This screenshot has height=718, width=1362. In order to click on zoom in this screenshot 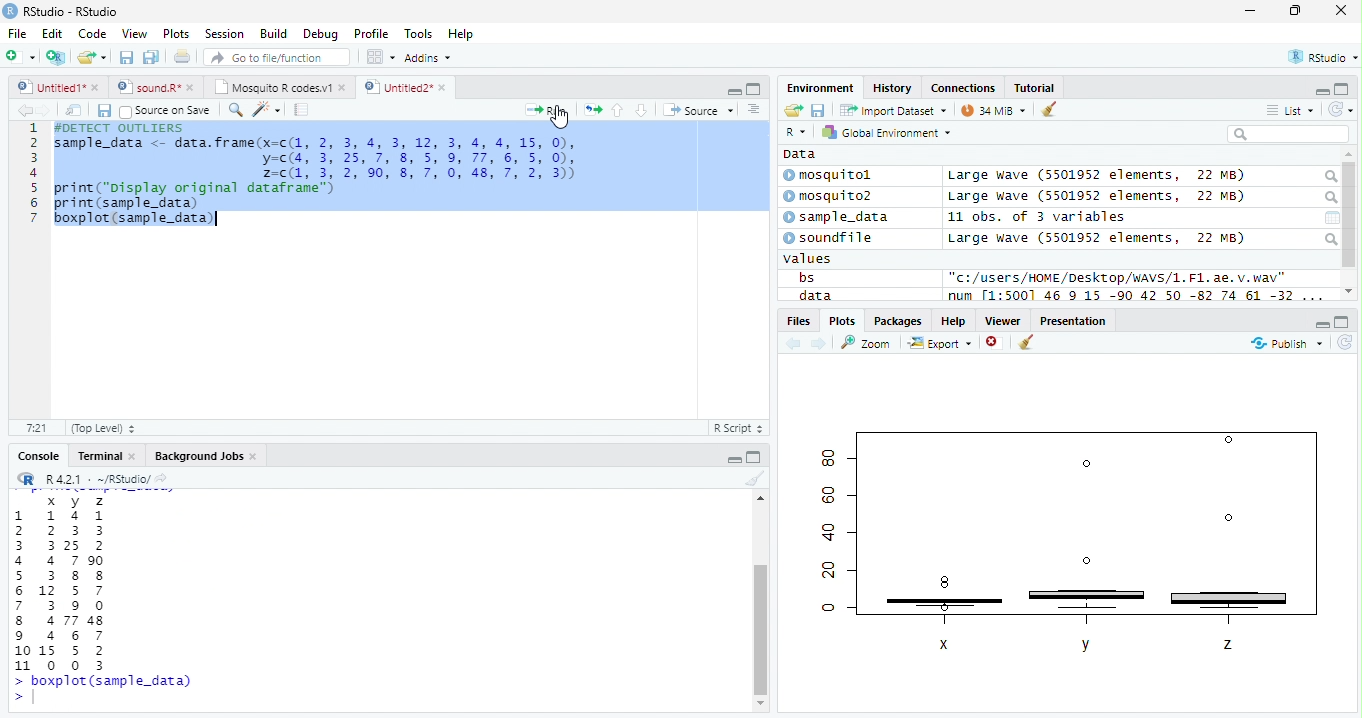, I will do `click(866, 342)`.